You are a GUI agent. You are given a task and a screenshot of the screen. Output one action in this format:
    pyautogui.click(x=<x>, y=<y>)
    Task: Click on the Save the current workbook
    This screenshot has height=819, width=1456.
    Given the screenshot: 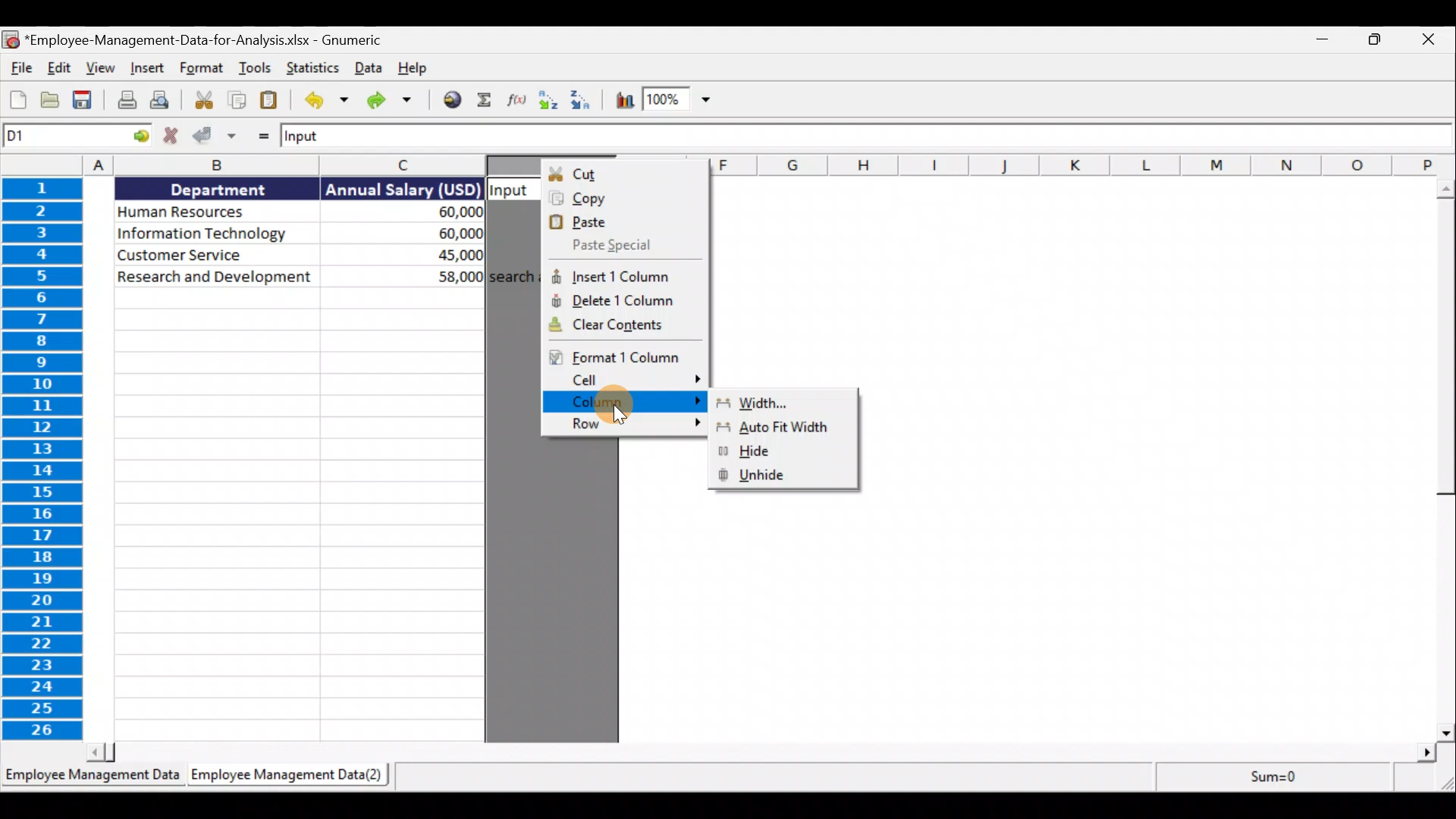 What is the action you would take?
    pyautogui.click(x=84, y=99)
    